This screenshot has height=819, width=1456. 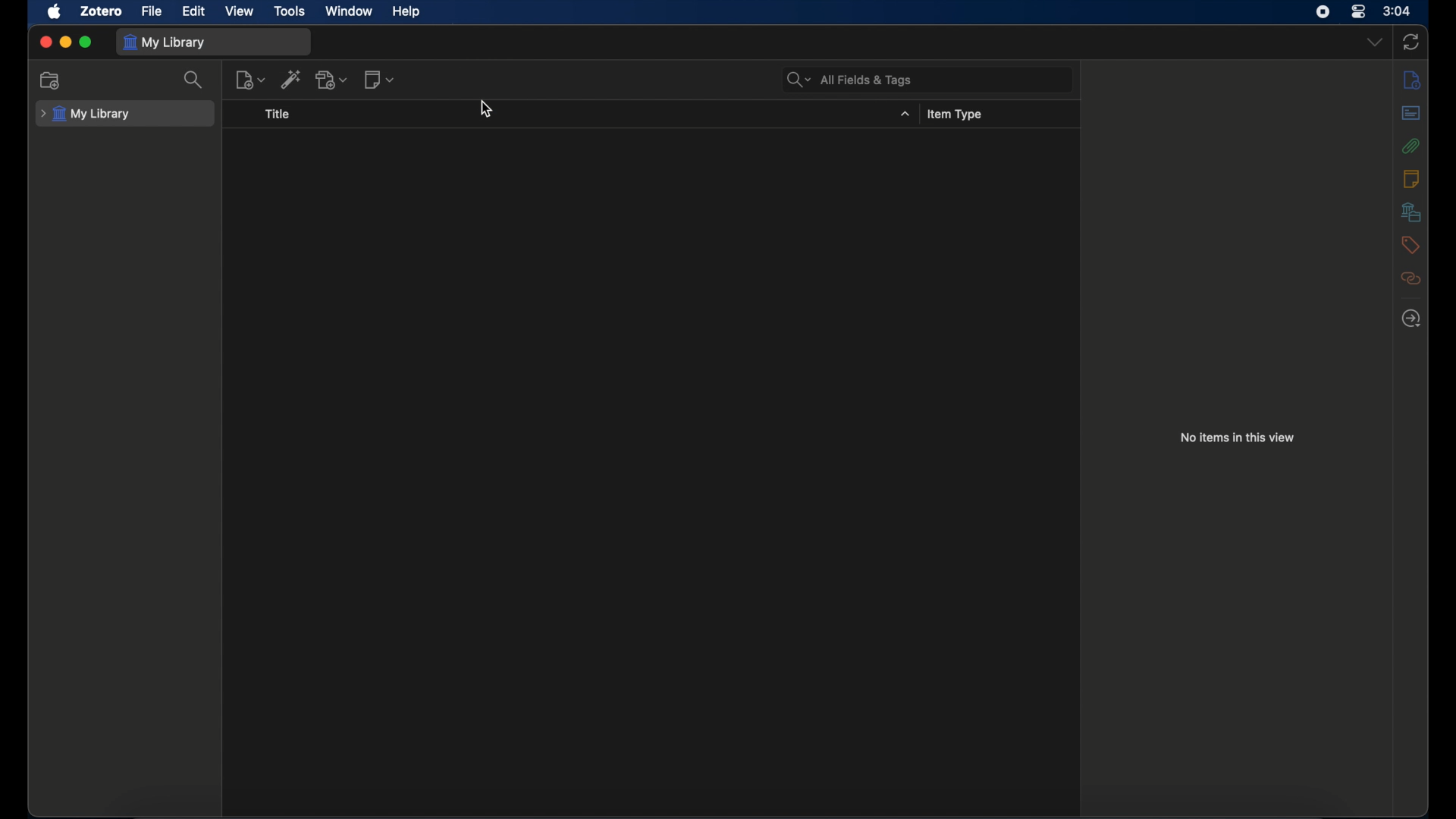 What do you see at coordinates (152, 11) in the screenshot?
I see `file` at bounding box center [152, 11].